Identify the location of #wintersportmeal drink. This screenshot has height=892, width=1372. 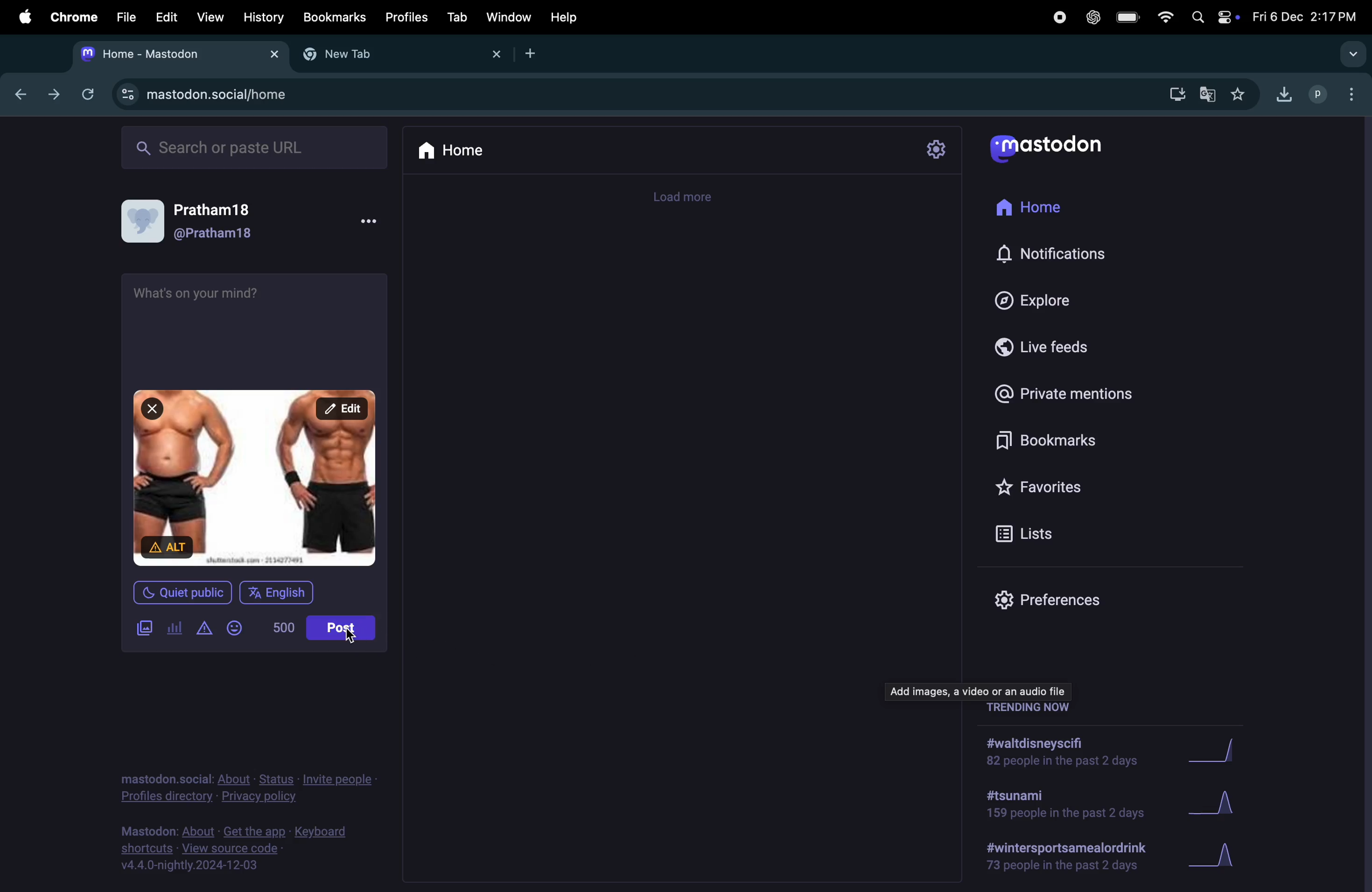
(1071, 857).